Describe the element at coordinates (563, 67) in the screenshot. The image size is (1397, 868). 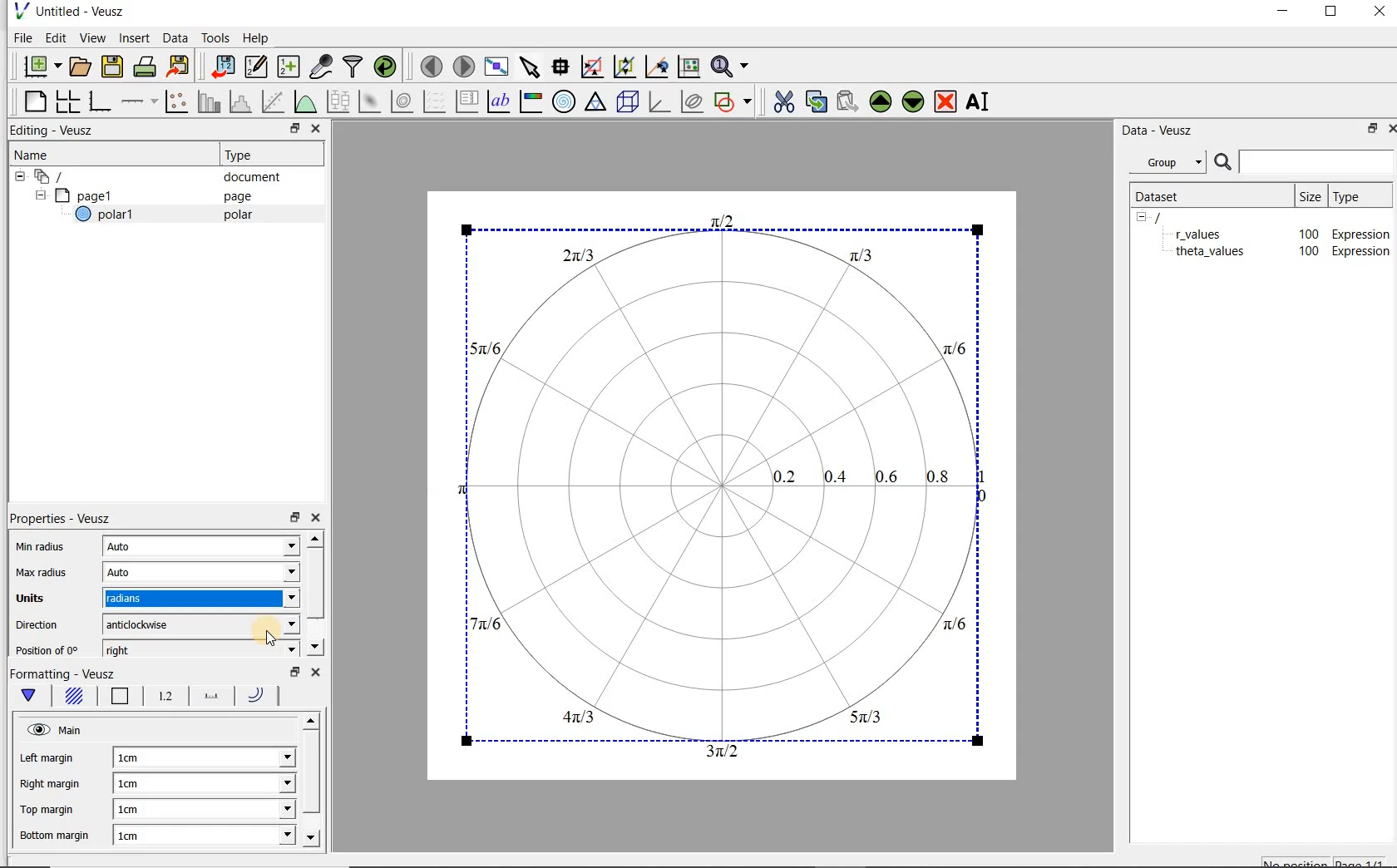
I see `Read data points on the graph` at that location.